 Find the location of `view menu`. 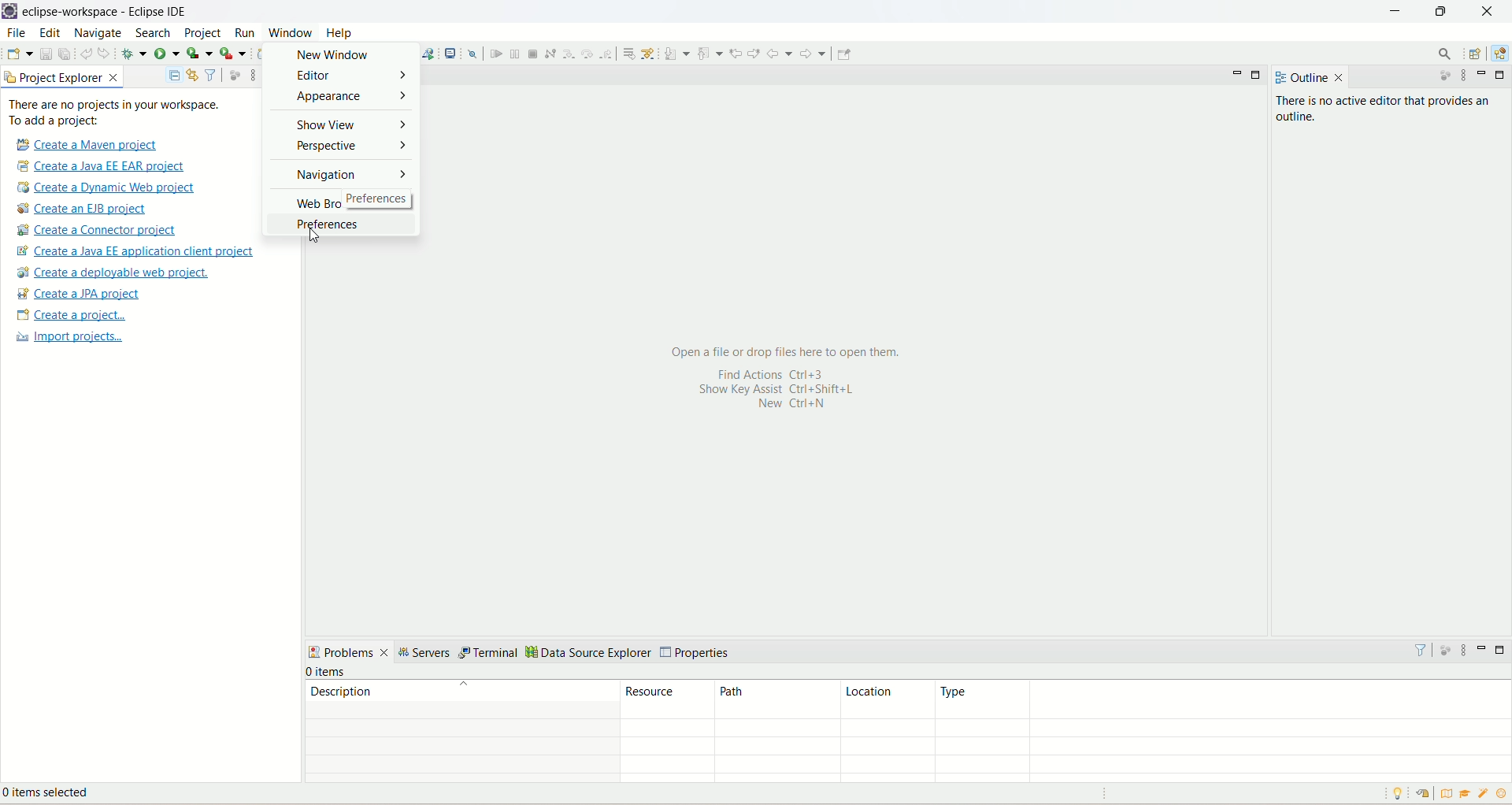

view menu is located at coordinates (249, 76).